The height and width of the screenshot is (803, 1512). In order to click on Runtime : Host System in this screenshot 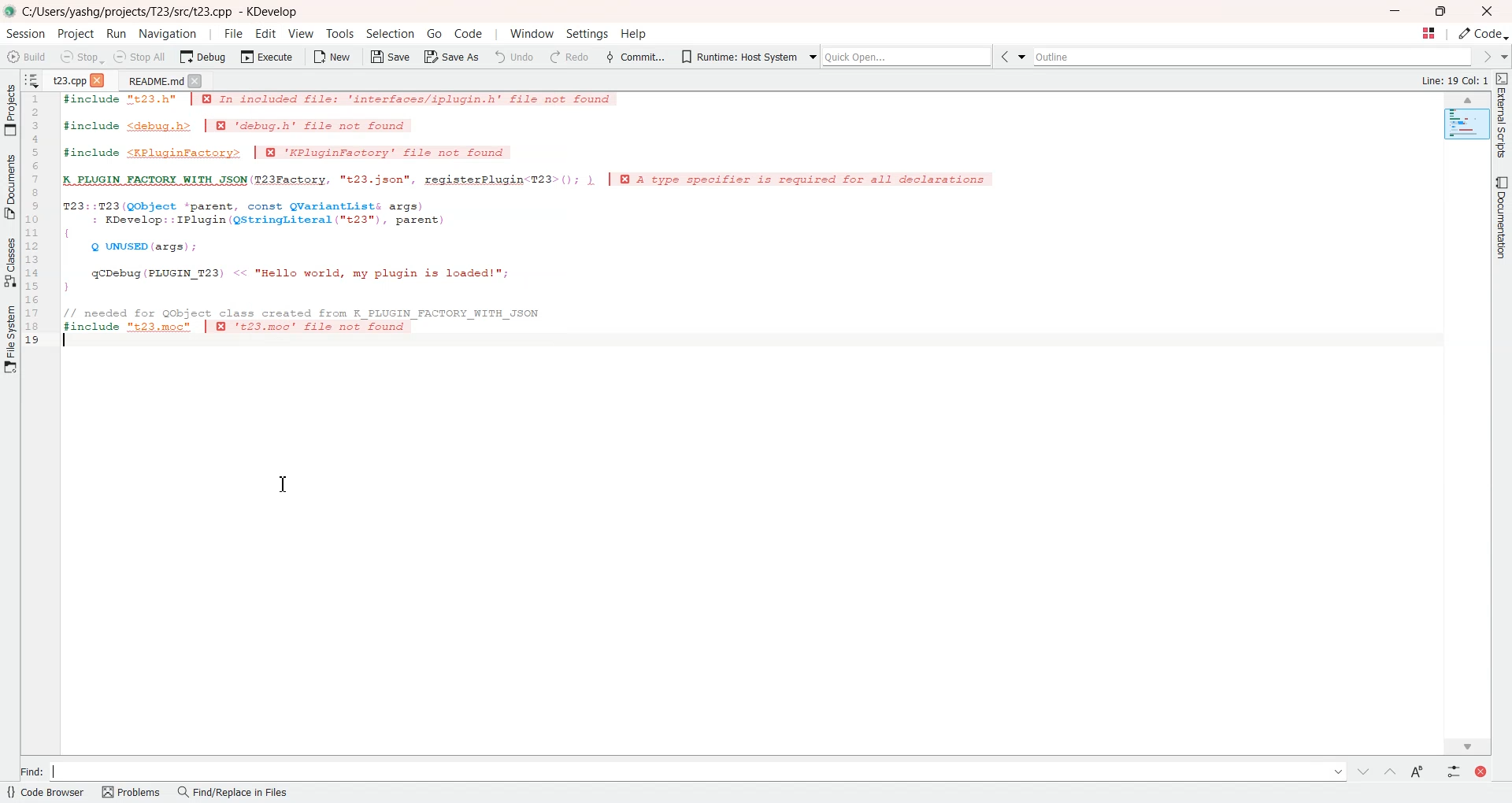, I will do `click(736, 55)`.